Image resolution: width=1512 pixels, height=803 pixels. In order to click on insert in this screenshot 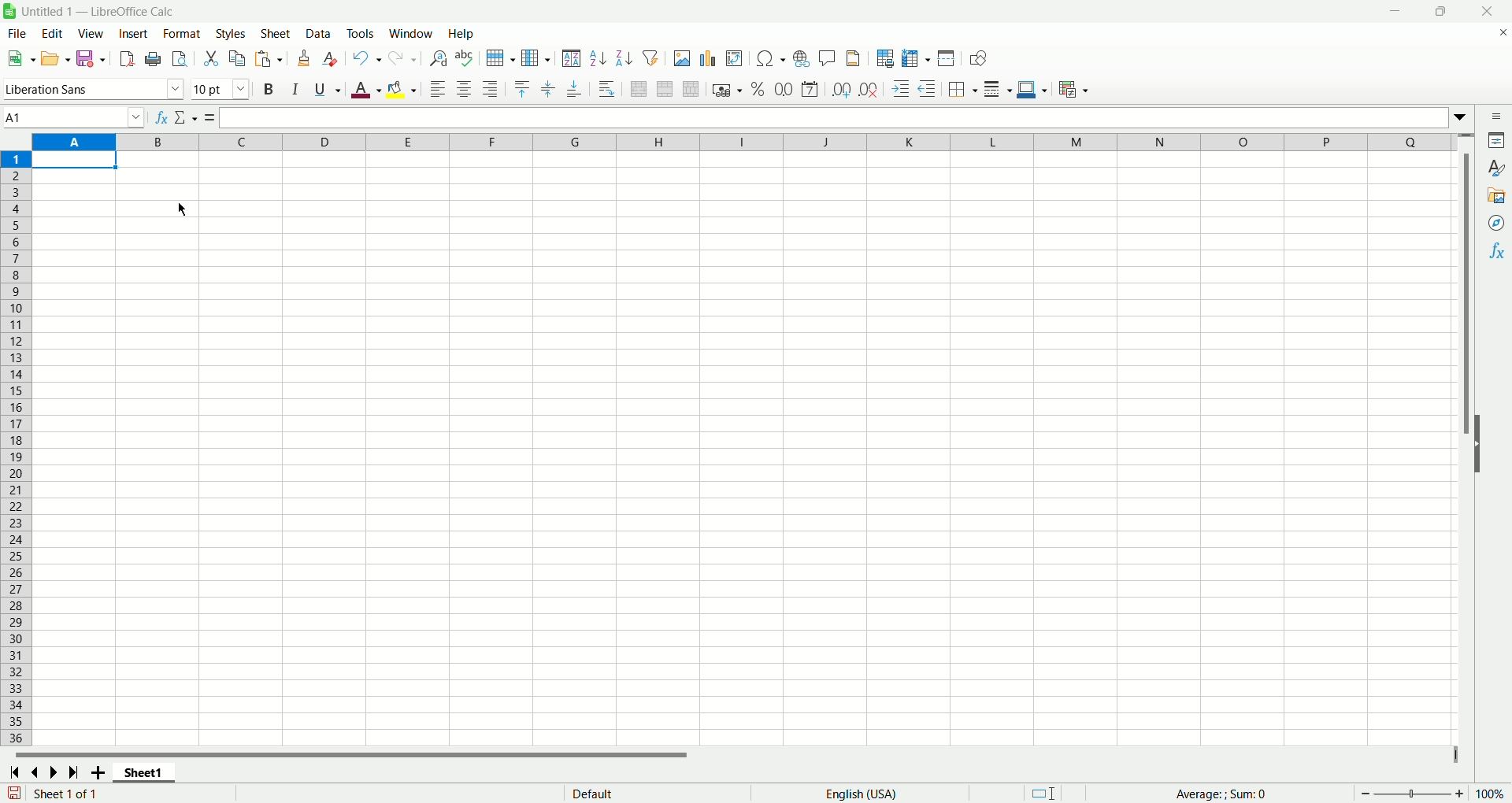, I will do `click(134, 34)`.